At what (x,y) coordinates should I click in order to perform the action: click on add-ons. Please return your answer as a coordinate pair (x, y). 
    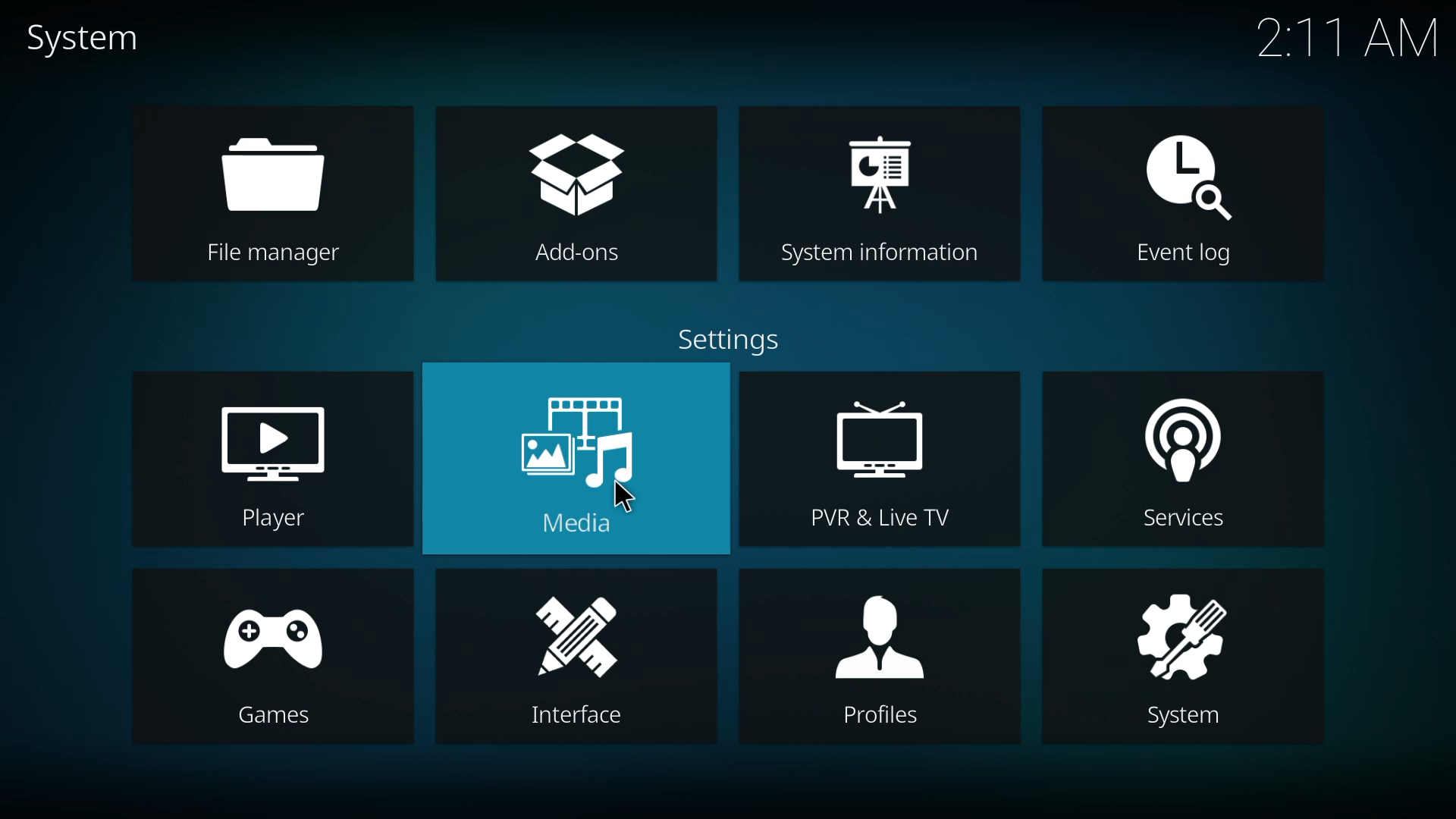
    Looking at the image, I should click on (579, 196).